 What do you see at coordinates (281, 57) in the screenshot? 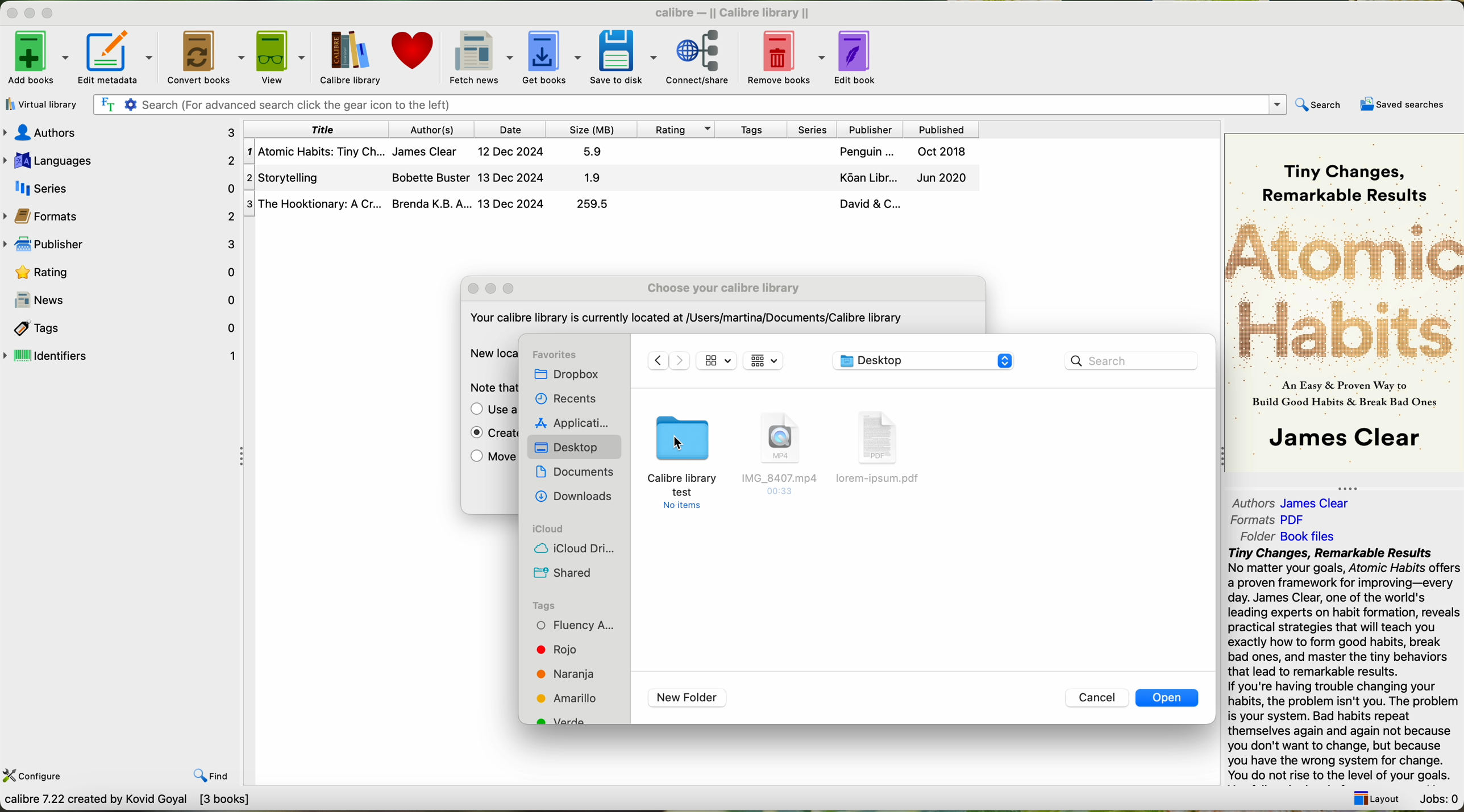
I see `view` at bounding box center [281, 57].